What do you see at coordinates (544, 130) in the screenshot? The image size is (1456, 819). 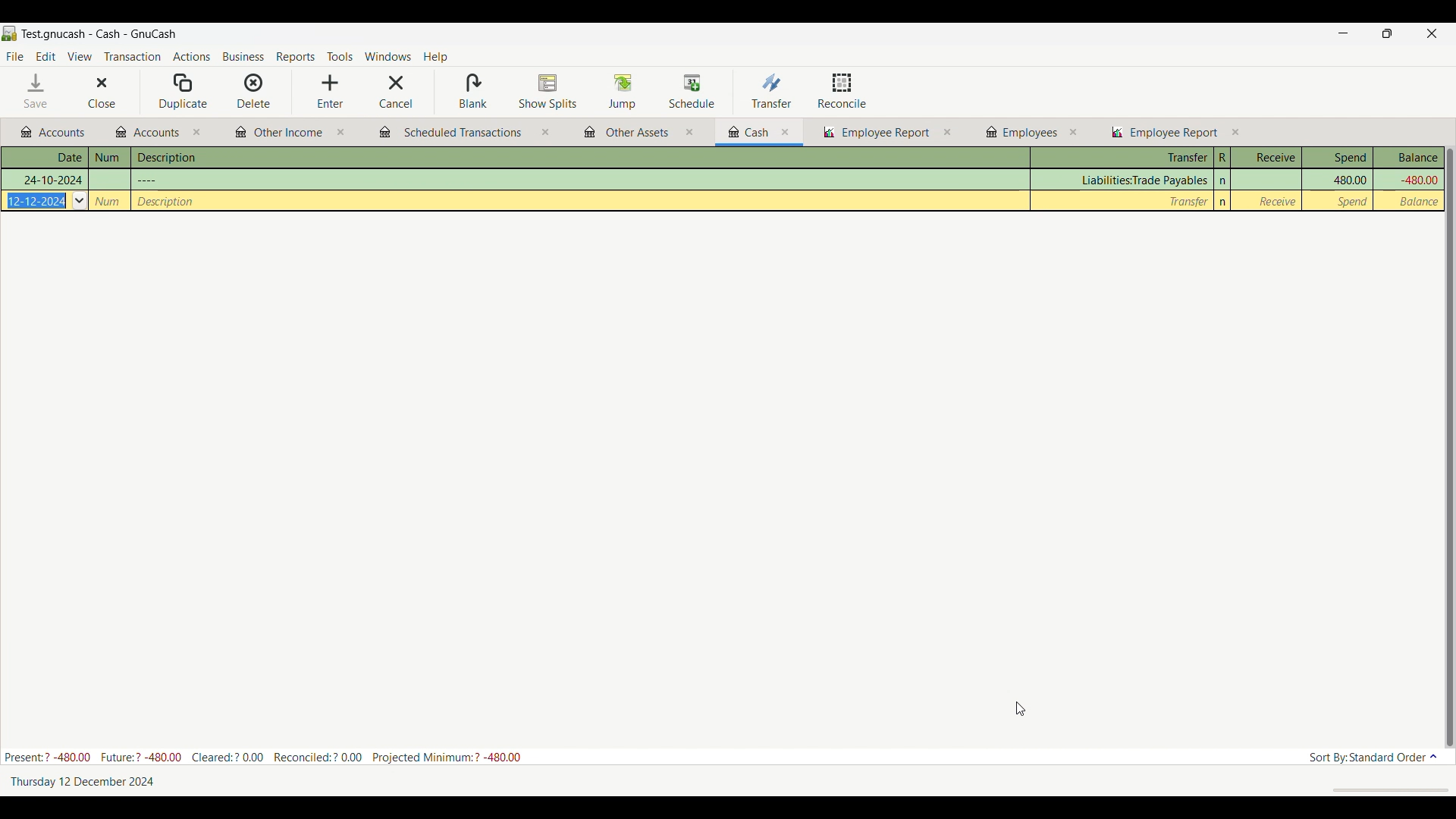 I see `close` at bounding box center [544, 130].